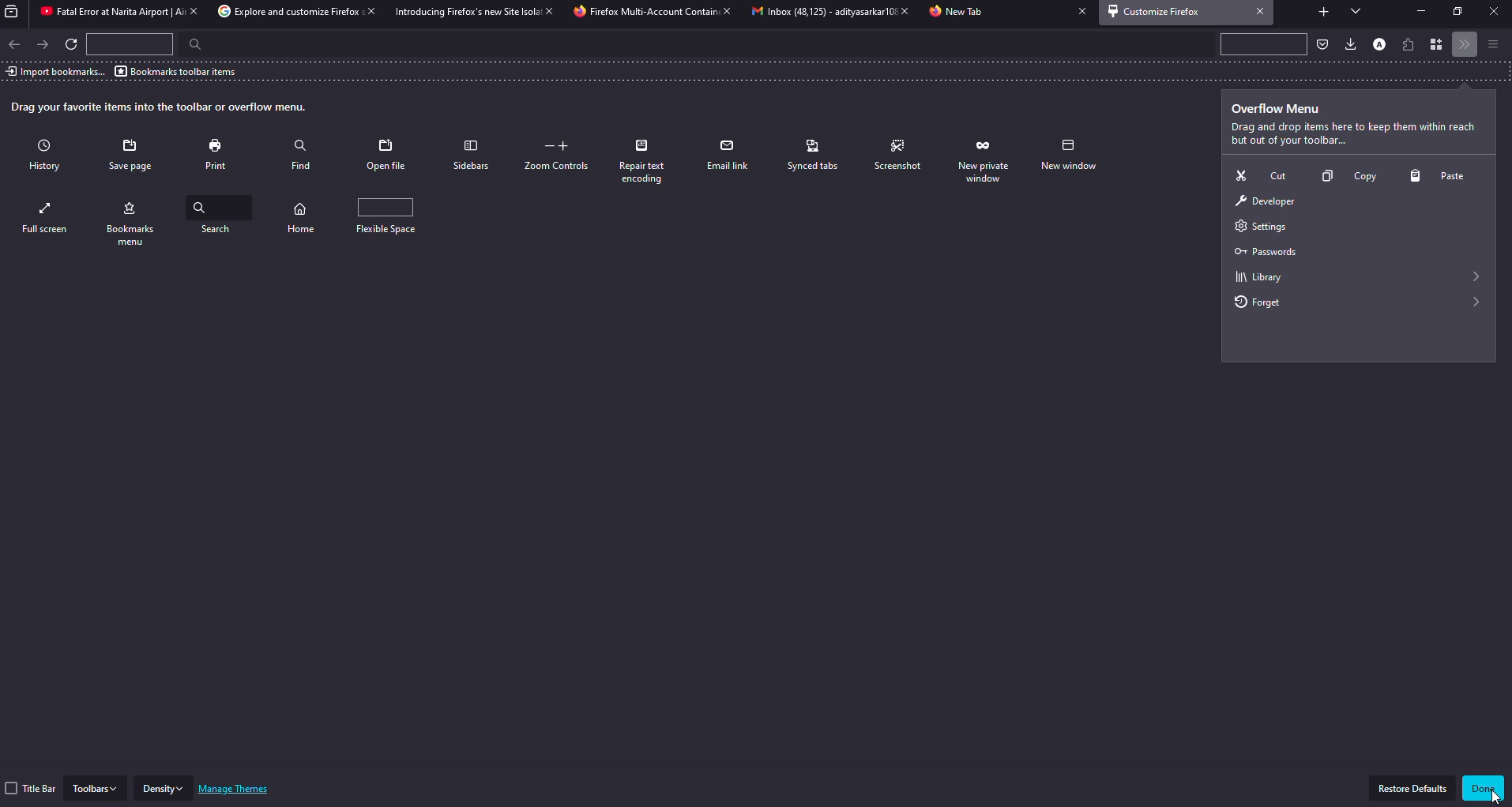 Image resolution: width=1512 pixels, height=807 pixels. What do you see at coordinates (1378, 43) in the screenshot?
I see `profile` at bounding box center [1378, 43].